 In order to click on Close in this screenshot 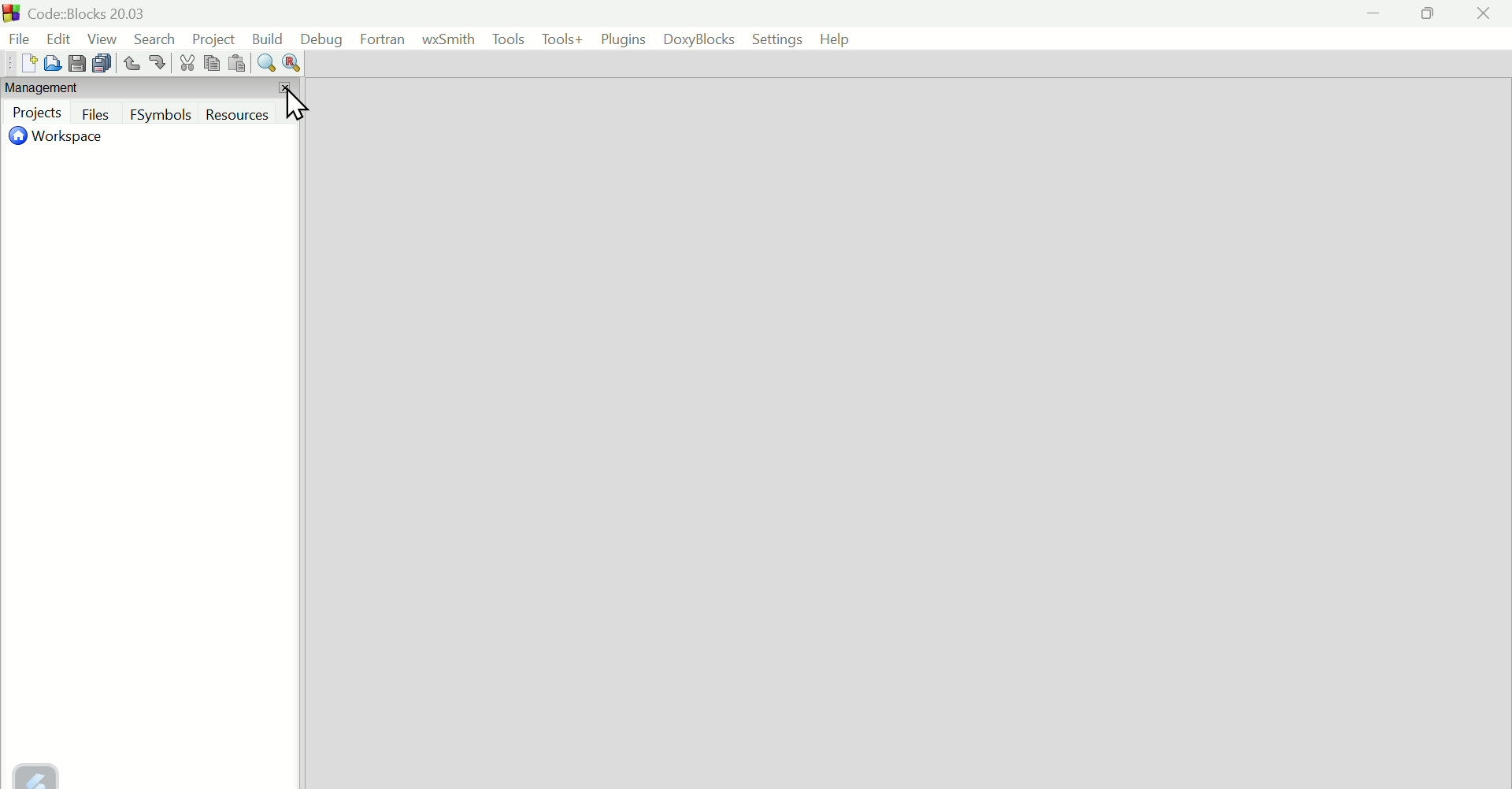, I will do `click(1484, 13)`.